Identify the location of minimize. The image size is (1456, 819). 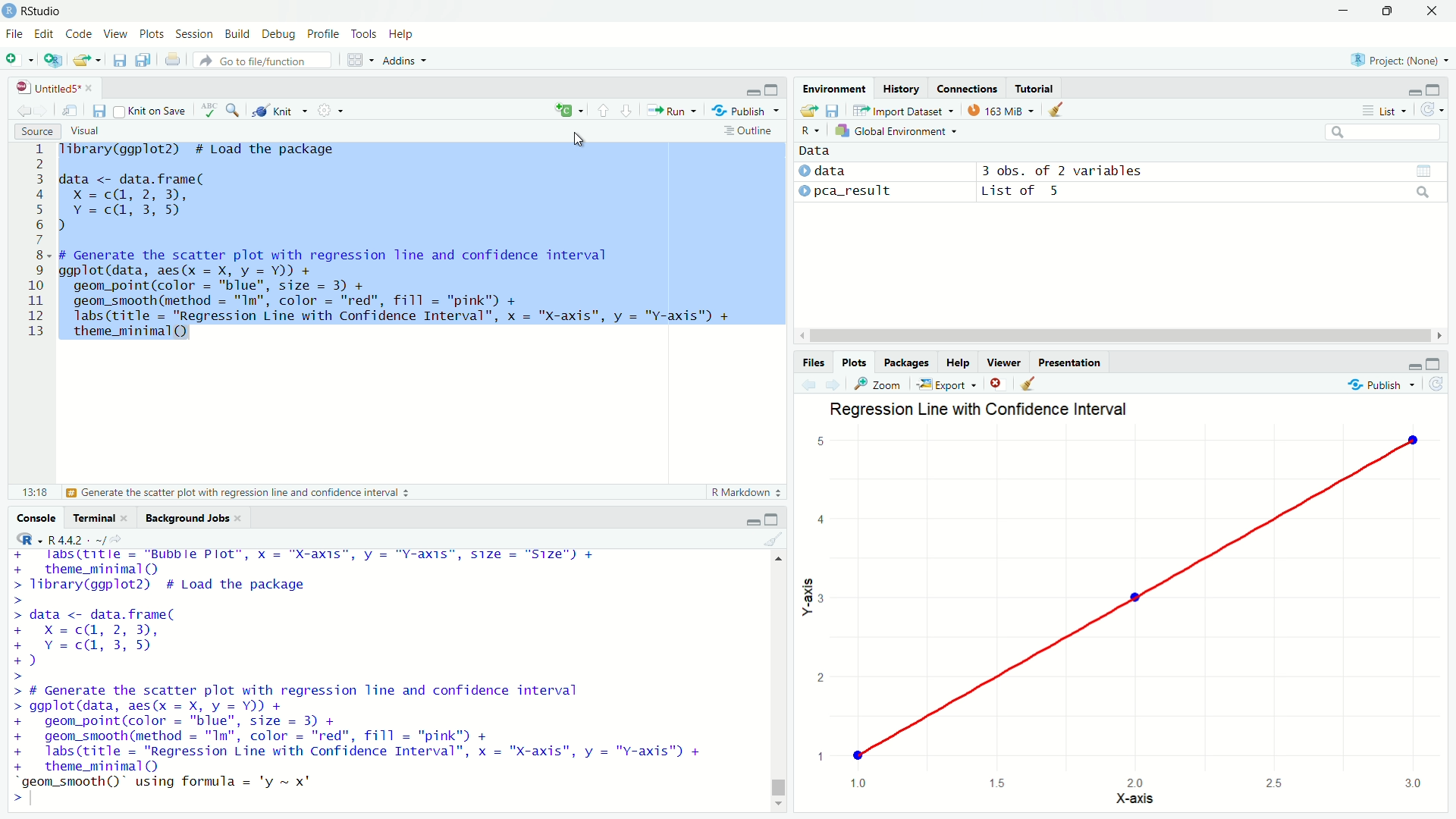
(1343, 11).